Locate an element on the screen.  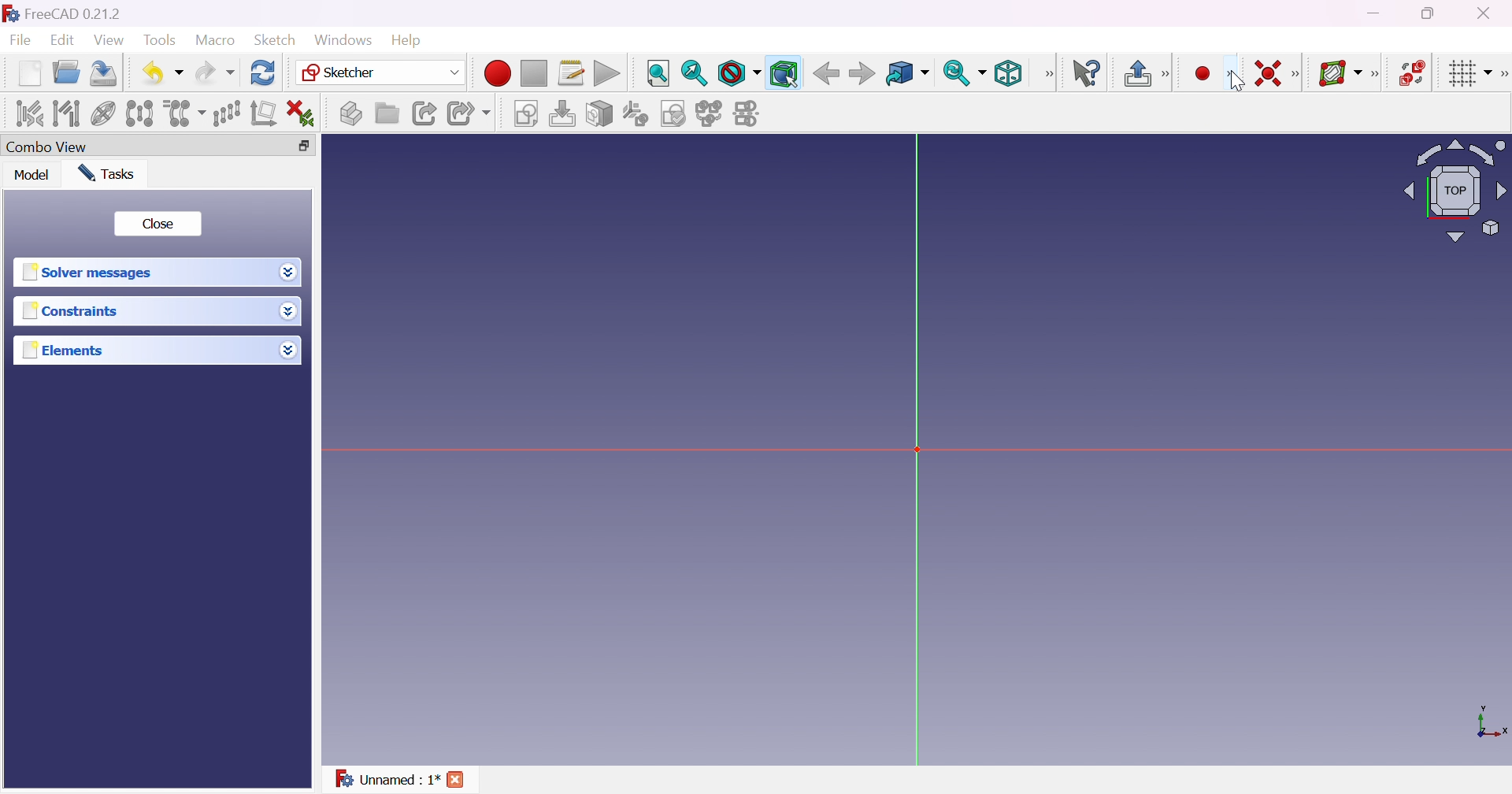
Show/hide B-spline information layer is located at coordinates (1340, 72).